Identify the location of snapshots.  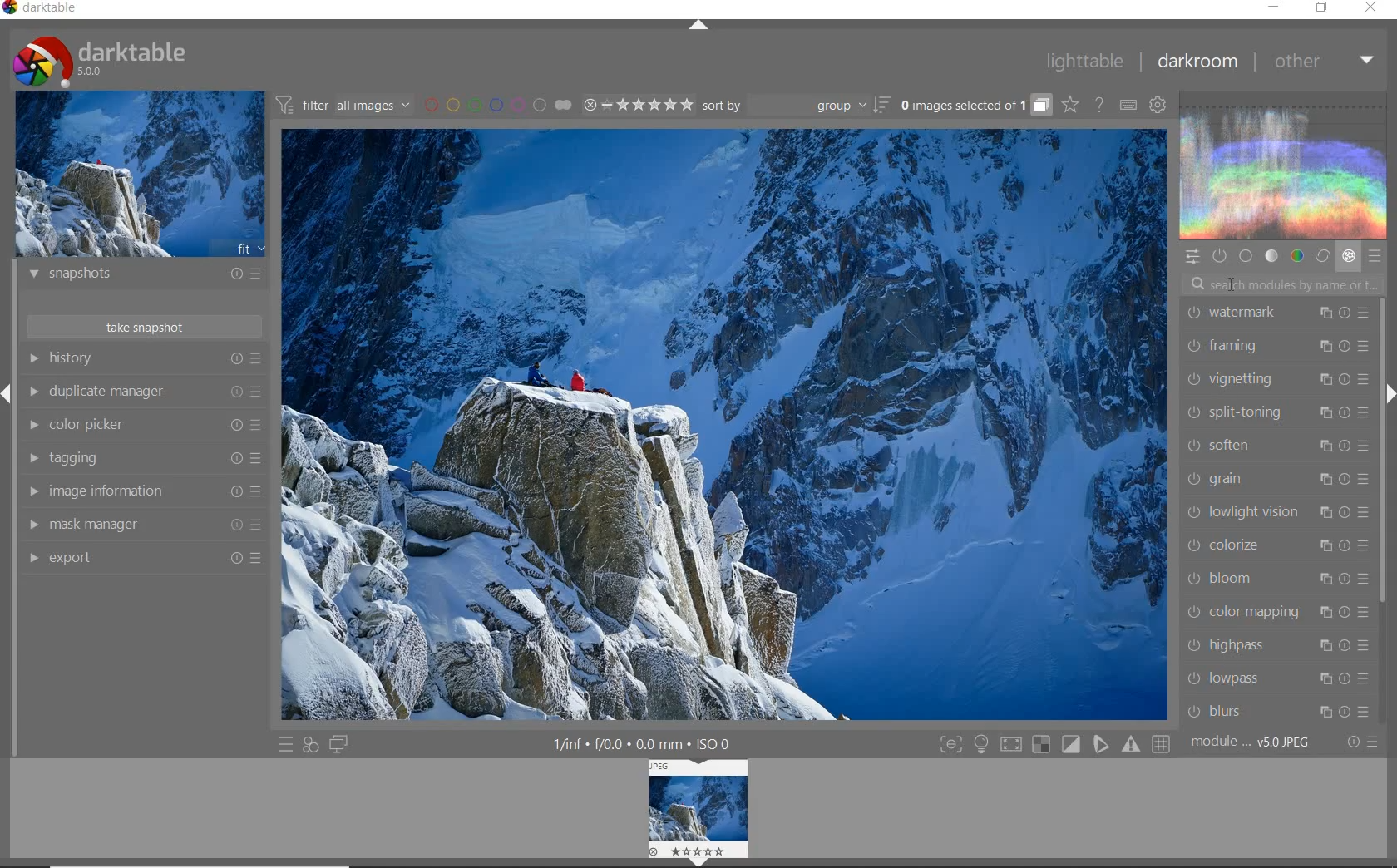
(146, 276).